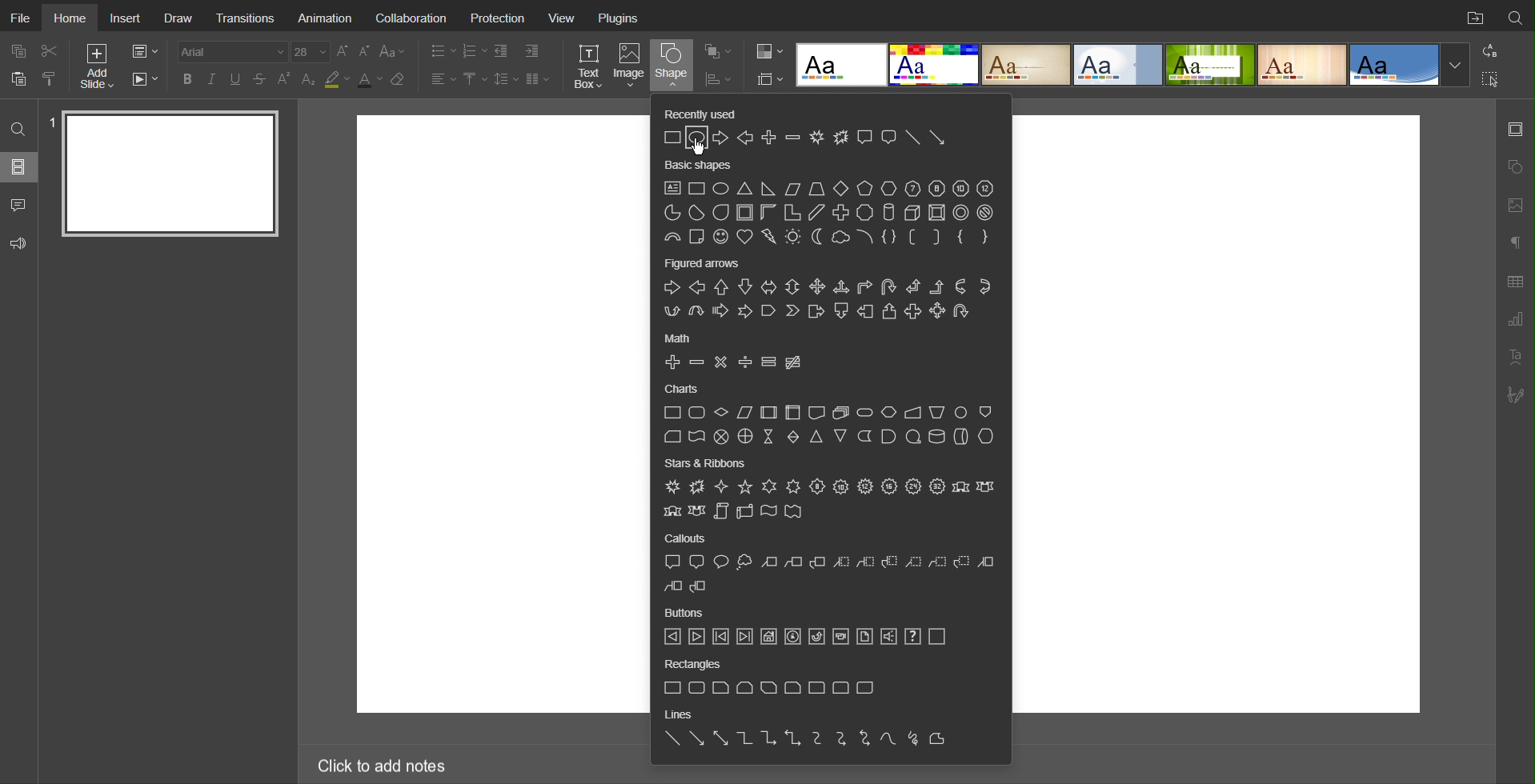 The height and width of the screenshot is (784, 1535). Describe the element at coordinates (506, 78) in the screenshot. I see `Line Spacing` at that location.